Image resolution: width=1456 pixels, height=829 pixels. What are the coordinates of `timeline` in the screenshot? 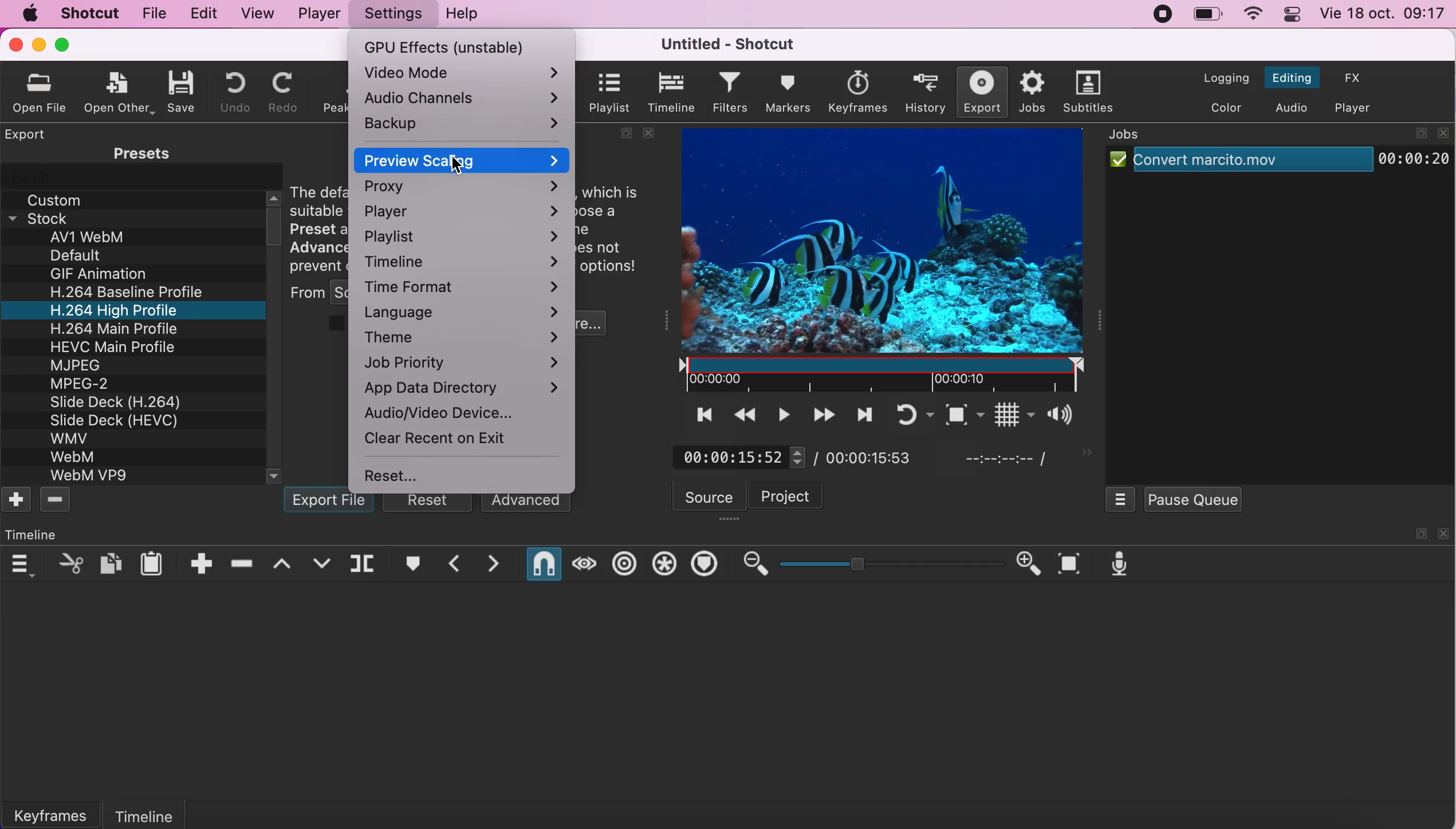 It's located at (671, 93).